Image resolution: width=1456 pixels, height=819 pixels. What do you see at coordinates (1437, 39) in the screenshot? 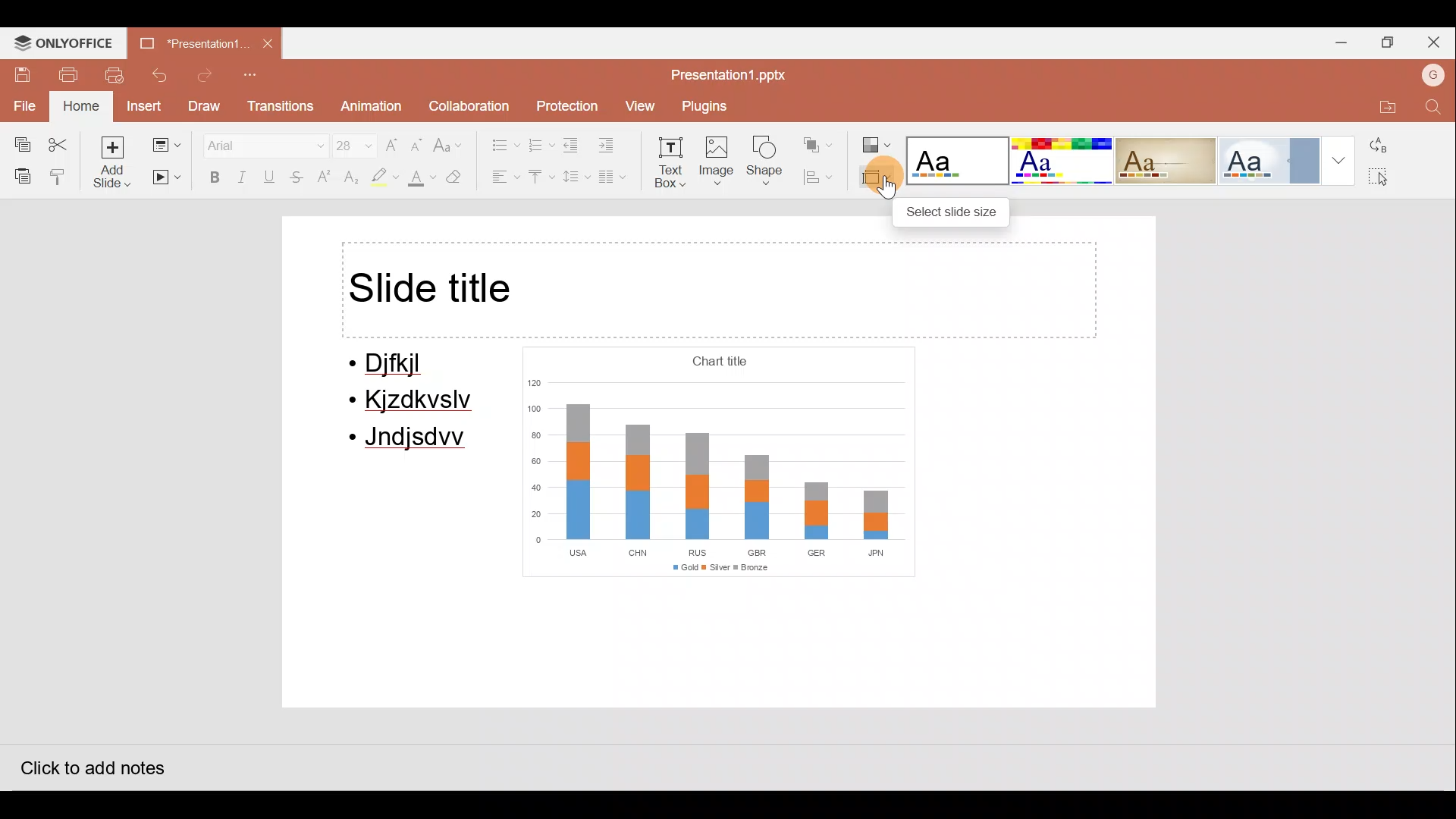
I see `Close` at bounding box center [1437, 39].